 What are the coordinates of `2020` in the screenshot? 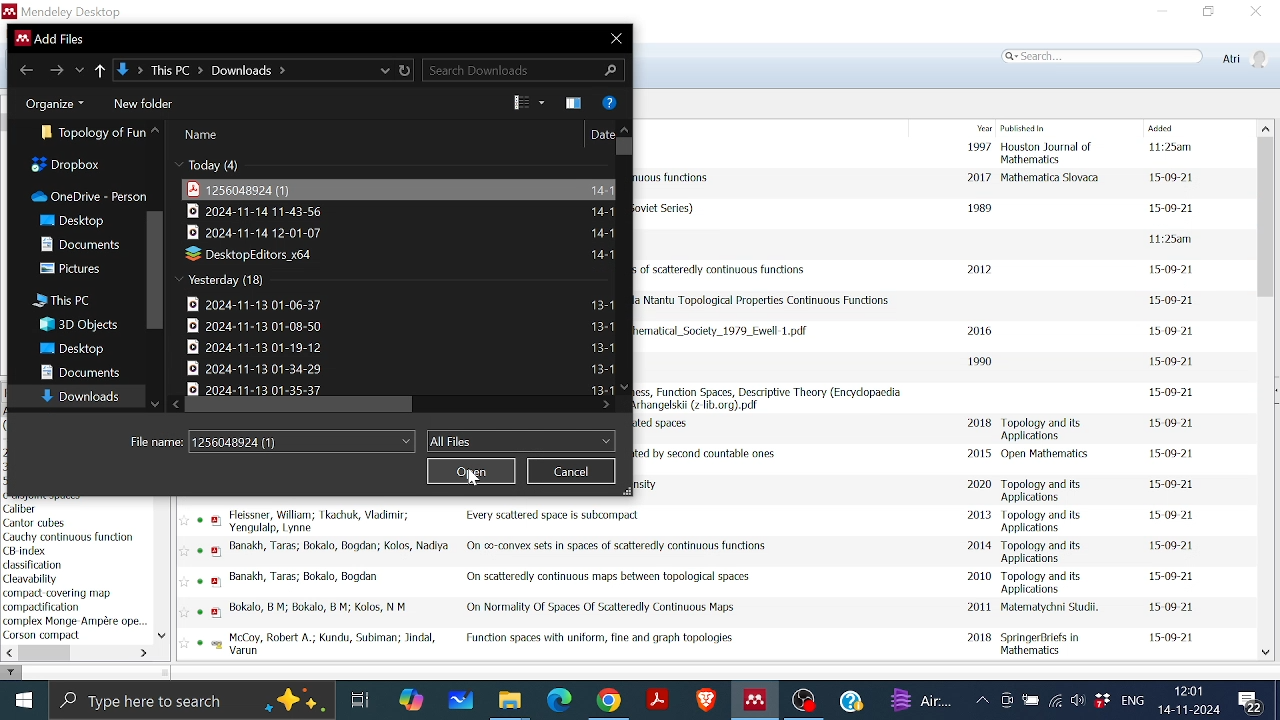 It's located at (979, 486).